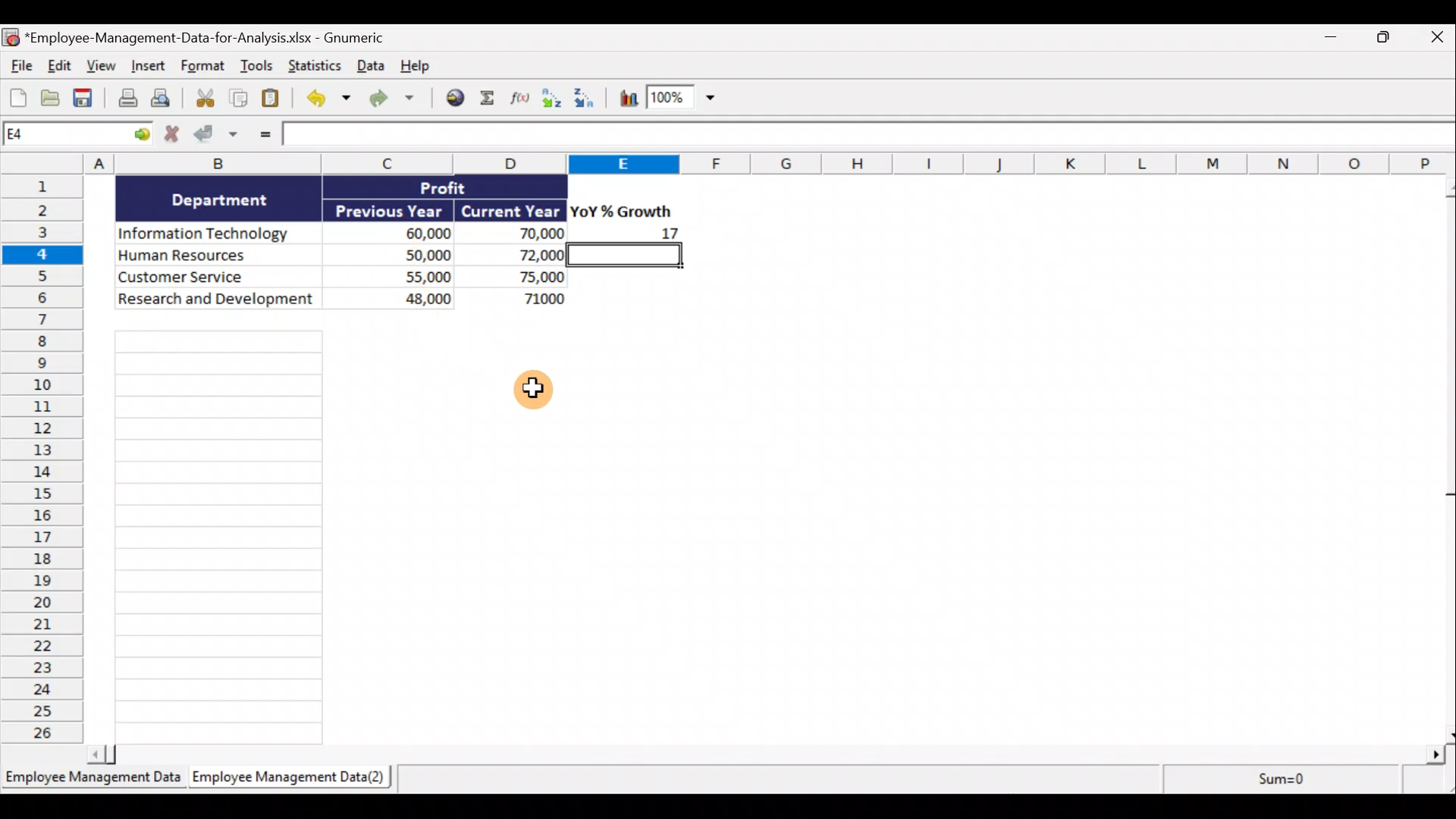 This screenshot has height=819, width=1456. I want to click on Close, so click(1437, 36).